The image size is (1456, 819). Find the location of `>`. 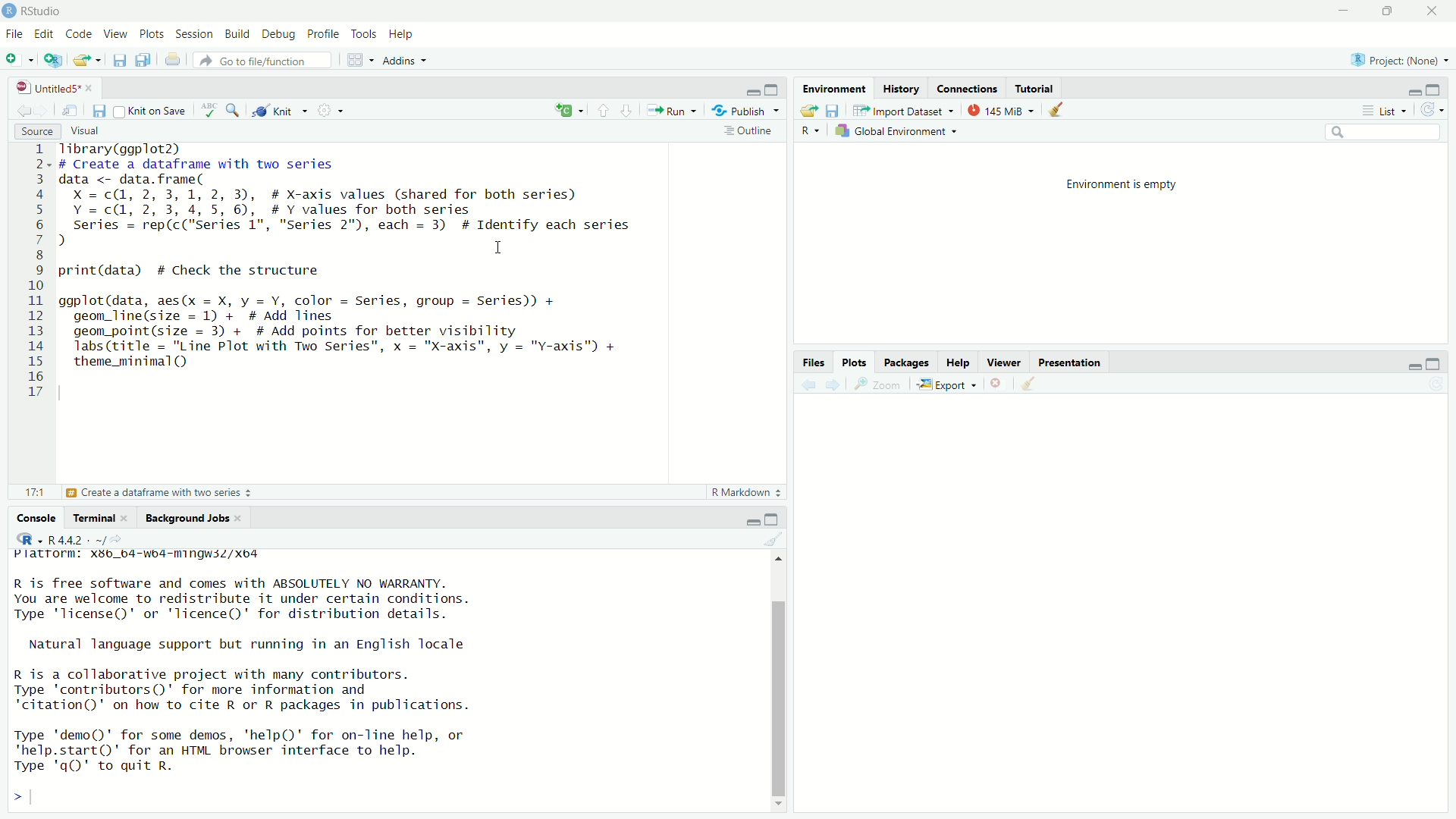

> is located at coordinates (11, 795).